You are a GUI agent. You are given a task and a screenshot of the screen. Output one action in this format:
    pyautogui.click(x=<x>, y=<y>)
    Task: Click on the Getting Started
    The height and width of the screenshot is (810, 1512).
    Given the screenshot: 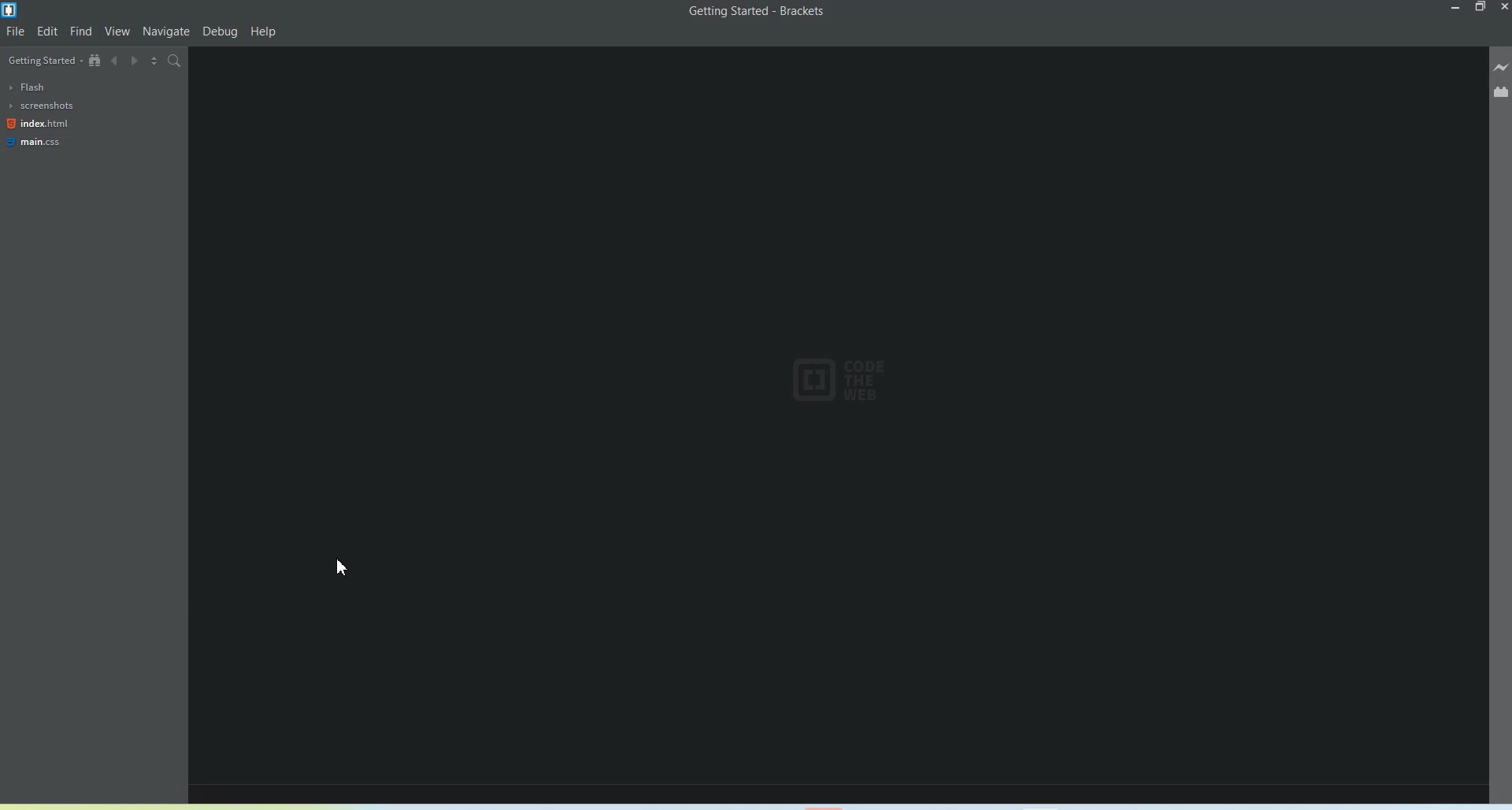 What is the action you would take?
    pyautogui.click(x=43, y=61)
    